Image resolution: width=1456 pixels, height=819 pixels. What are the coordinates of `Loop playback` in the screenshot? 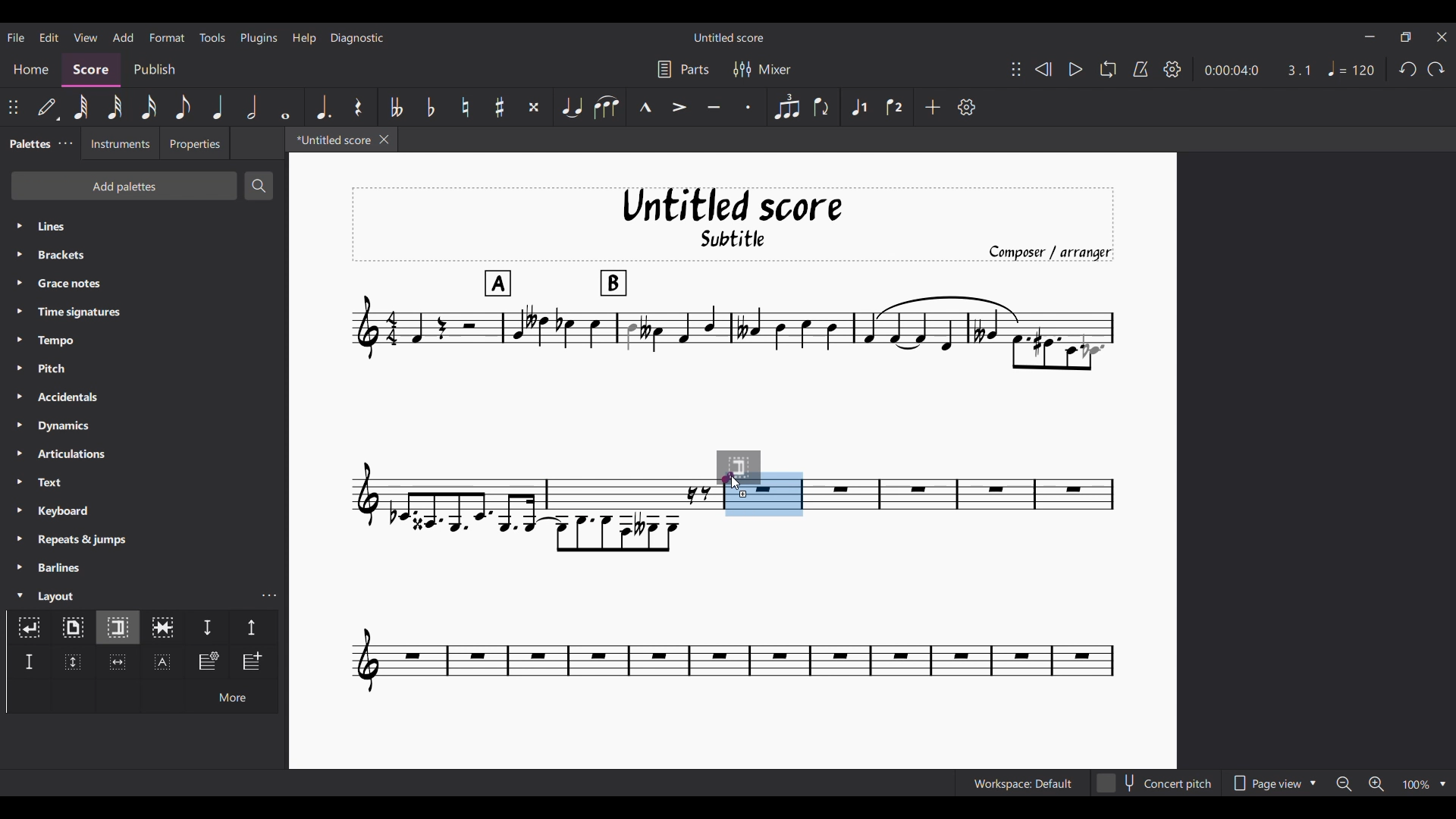 It's located at (1108, 69).